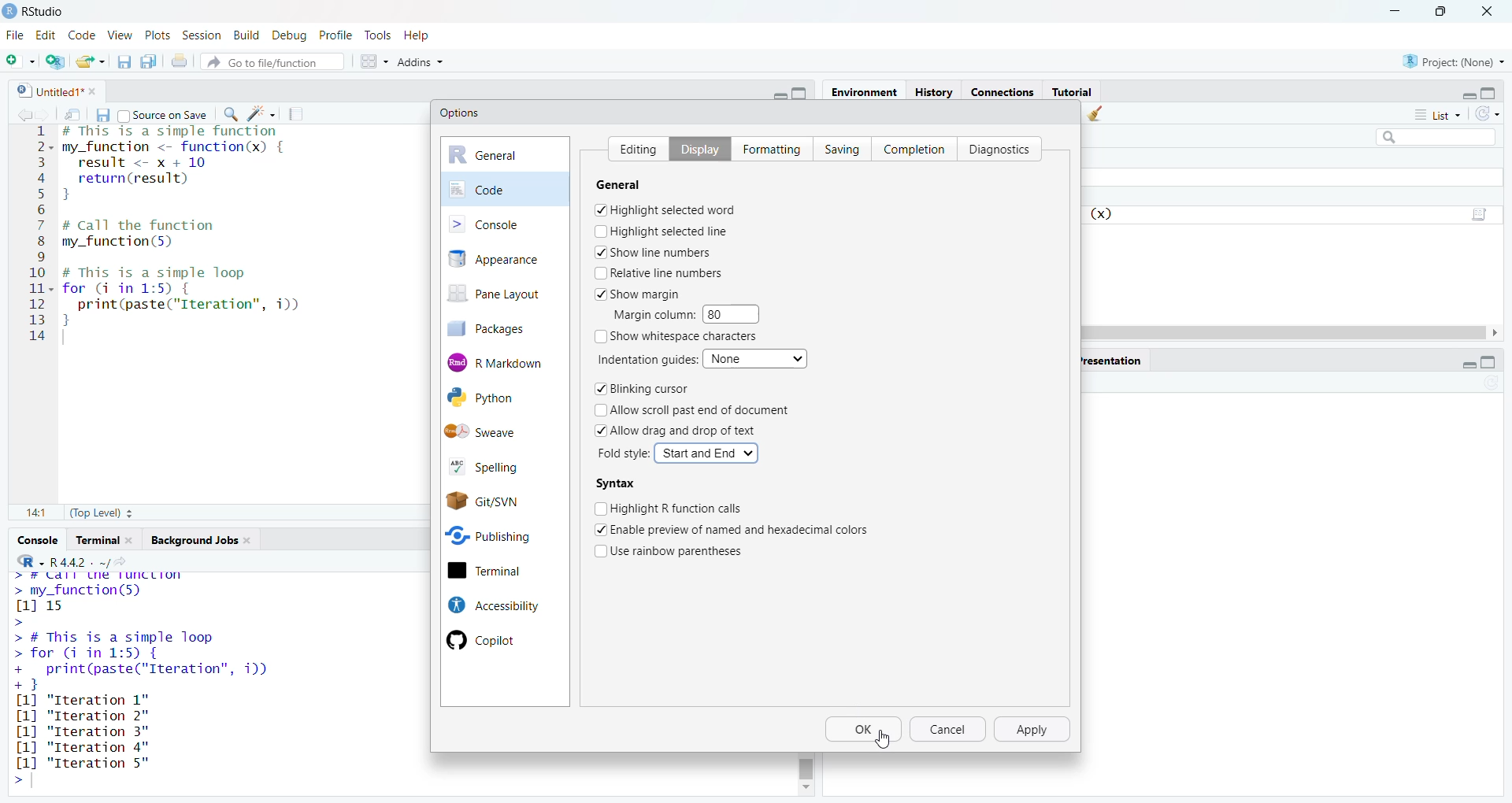 The width and height of the screenshot is (1512, 803). Describe the element at coordinates (883, 740) in the screenshot. I see `cursor` at that location.